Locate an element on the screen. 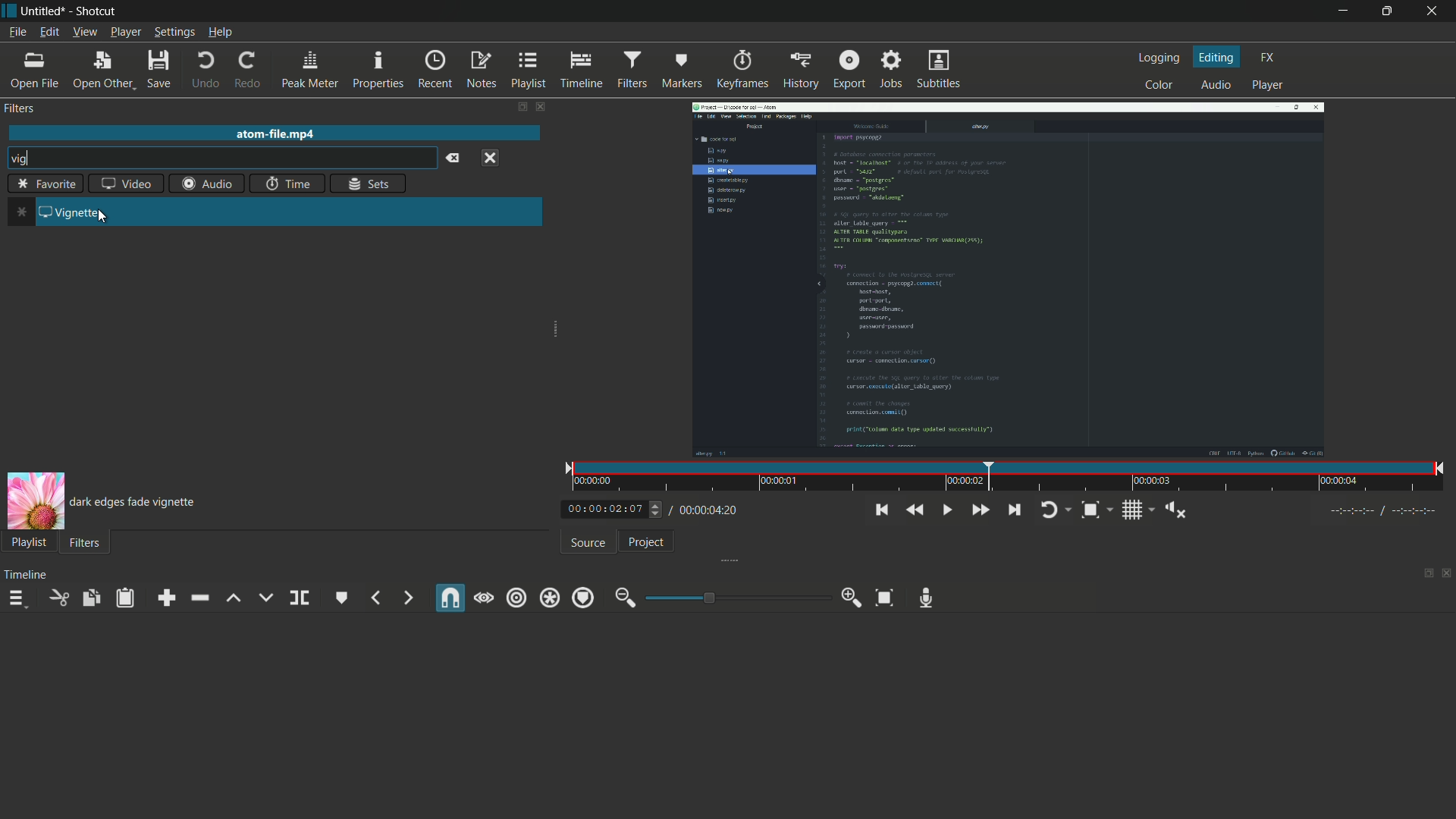 The height and width of the screenshot is (819, 1456). snap is located at coordinates (451, 598).